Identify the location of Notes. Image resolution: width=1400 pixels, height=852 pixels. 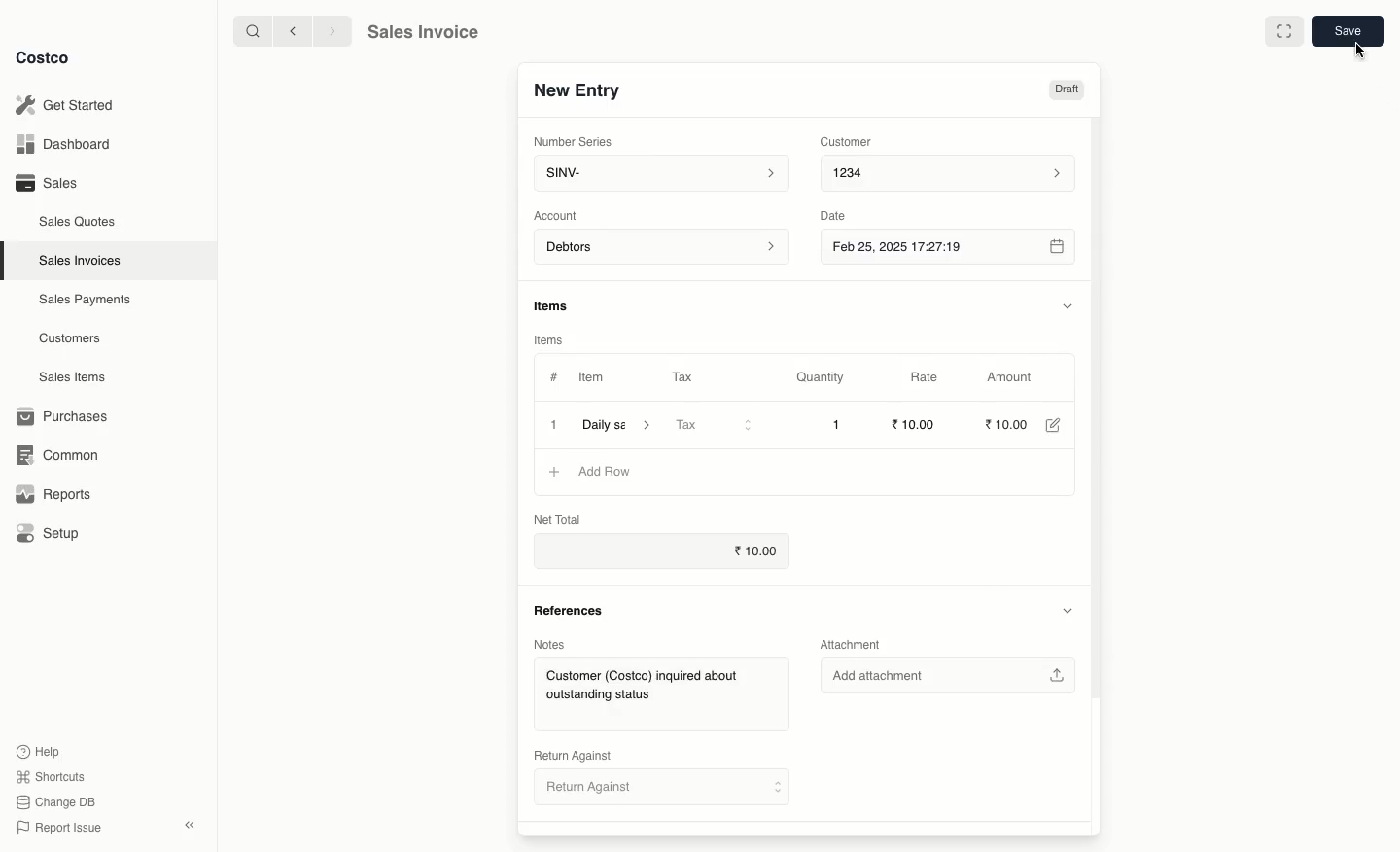
(550, 644).